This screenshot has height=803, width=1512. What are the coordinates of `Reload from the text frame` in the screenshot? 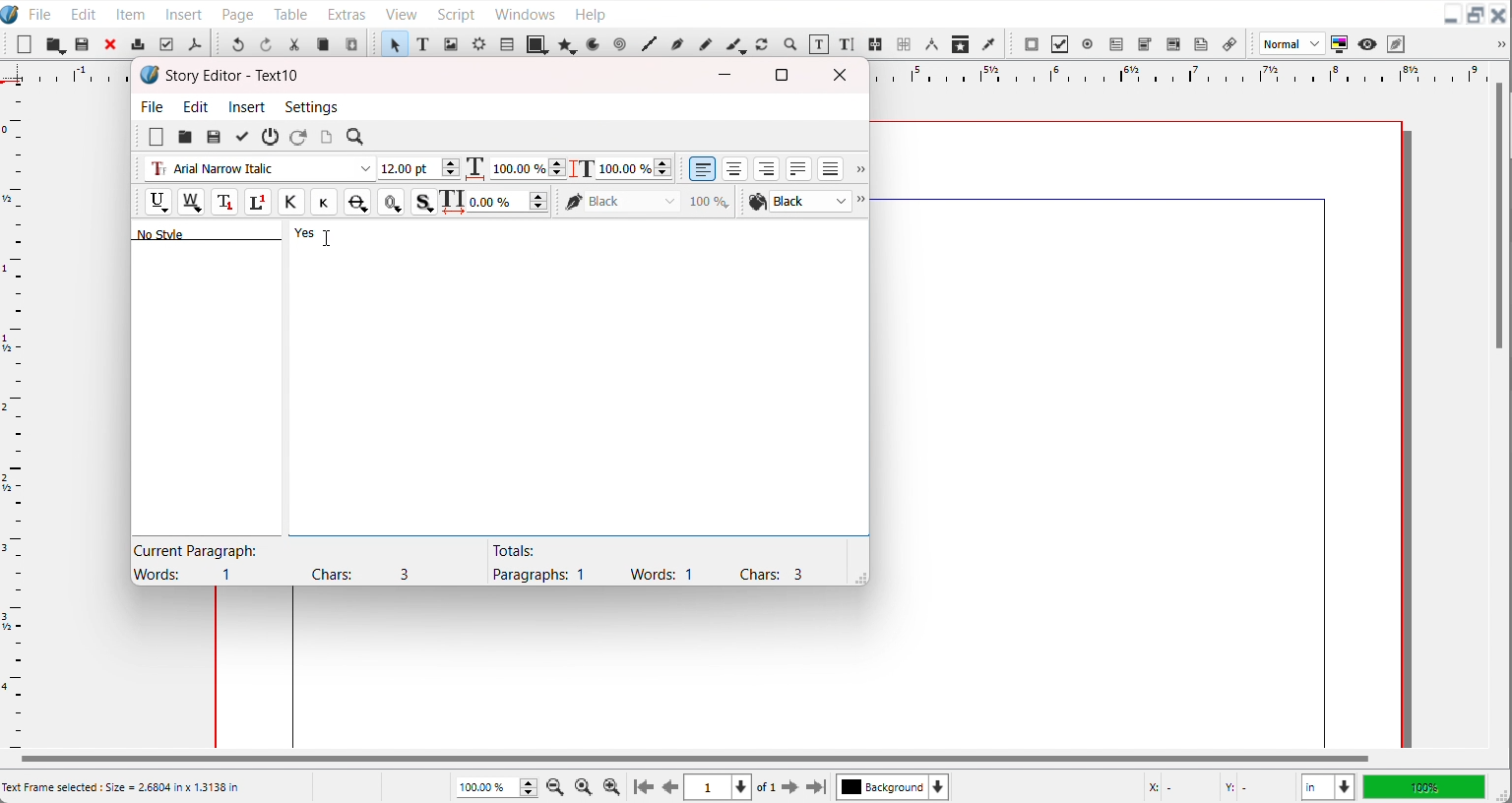 It's located at (300, 137).